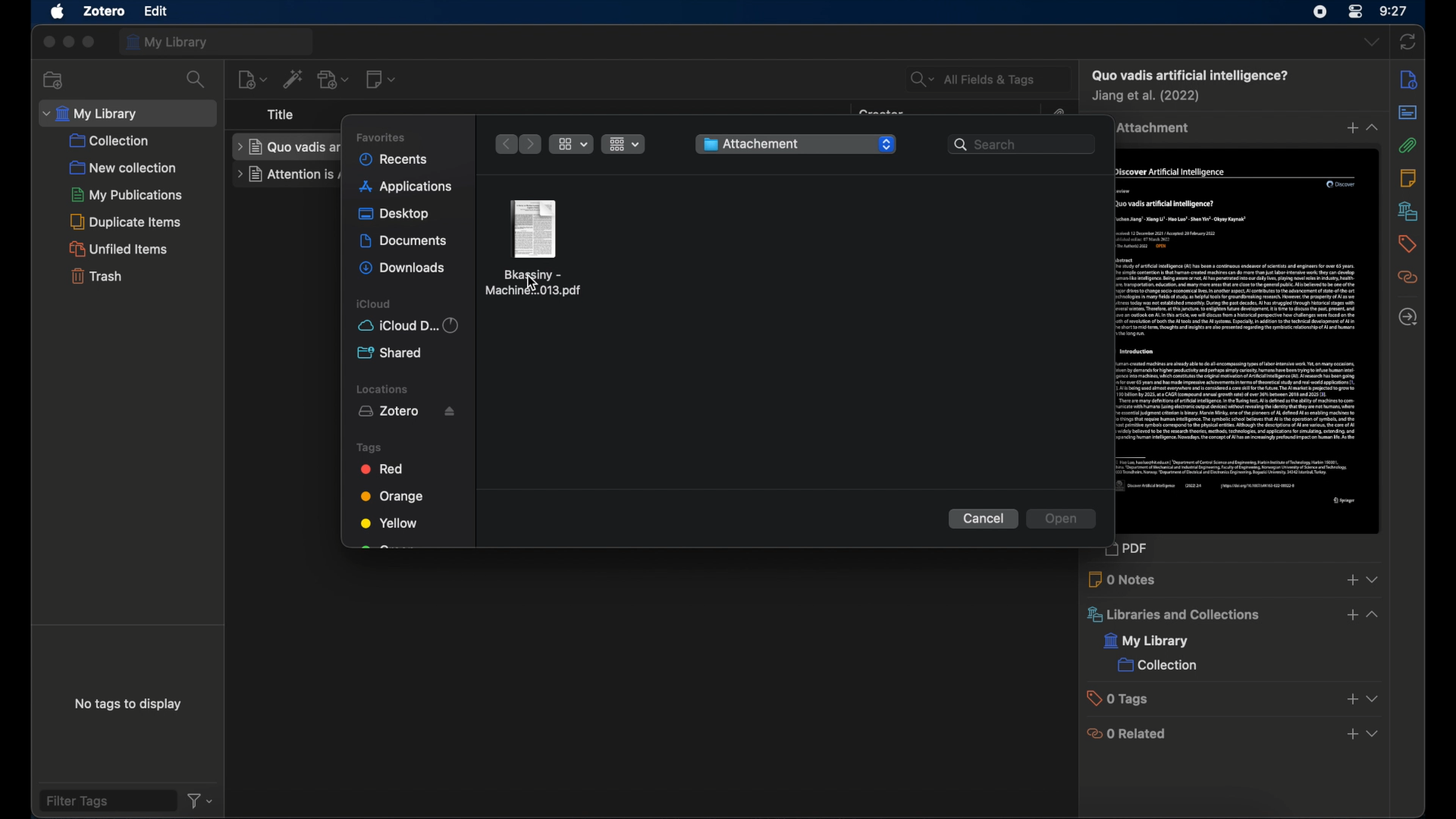 Image resolution: width=1456 pixels, height=819 pixels. I want to click on cursor, so click(532, 284).